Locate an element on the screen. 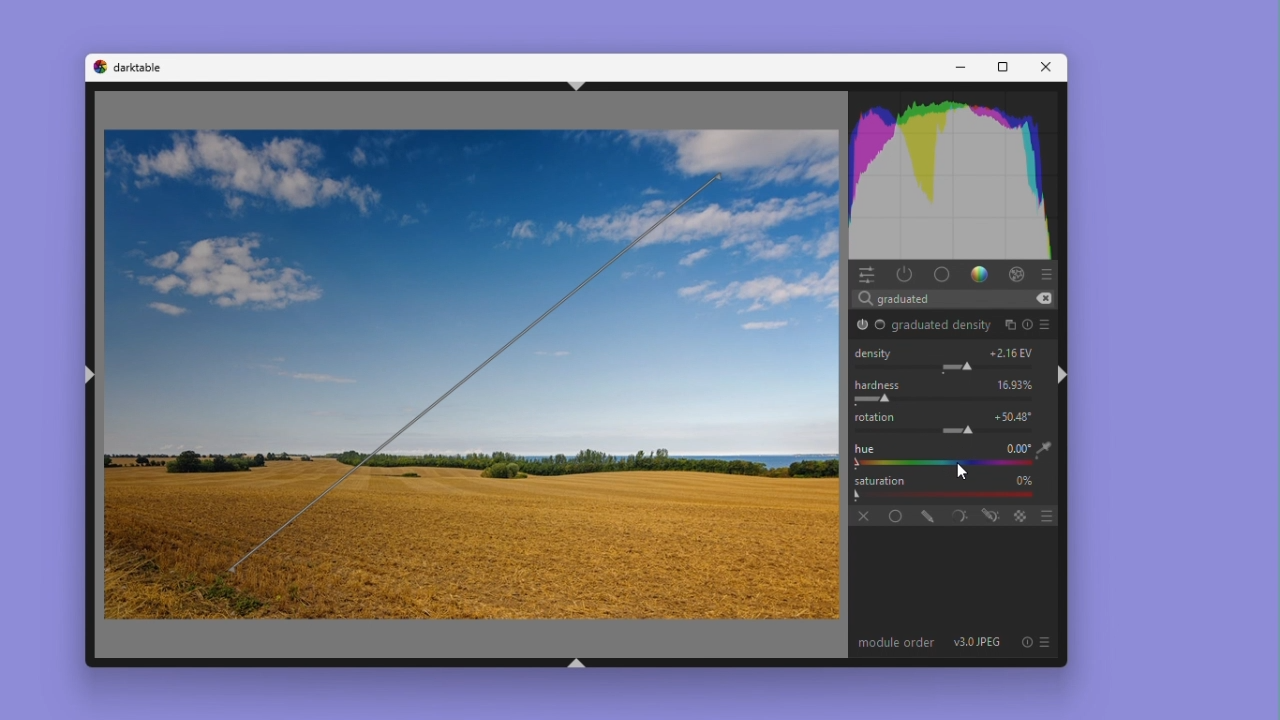 The image size is (1280, 720). graduated density is located at coordinates (862, 324).